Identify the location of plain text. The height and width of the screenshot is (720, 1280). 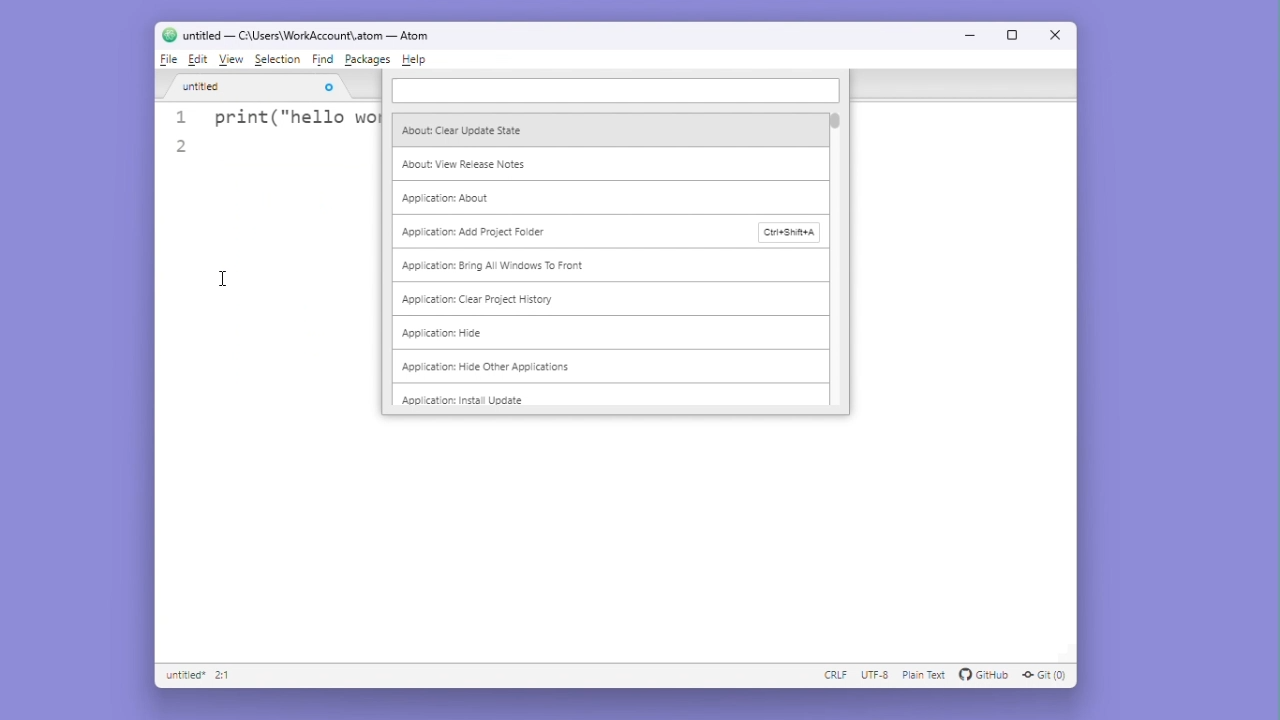
(922, 676).